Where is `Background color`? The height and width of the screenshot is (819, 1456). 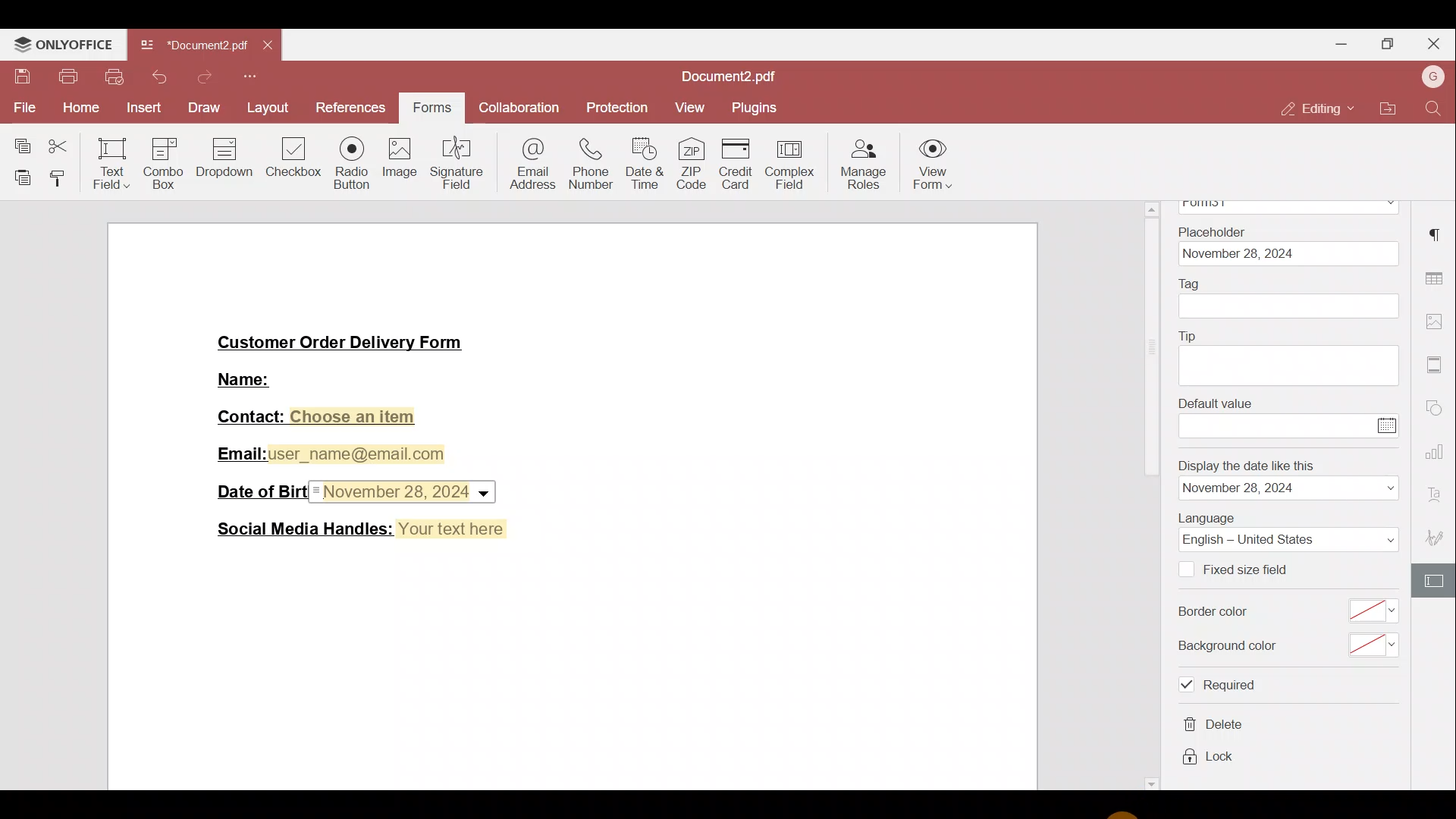
Background color is located at coordinates (1231, 645).